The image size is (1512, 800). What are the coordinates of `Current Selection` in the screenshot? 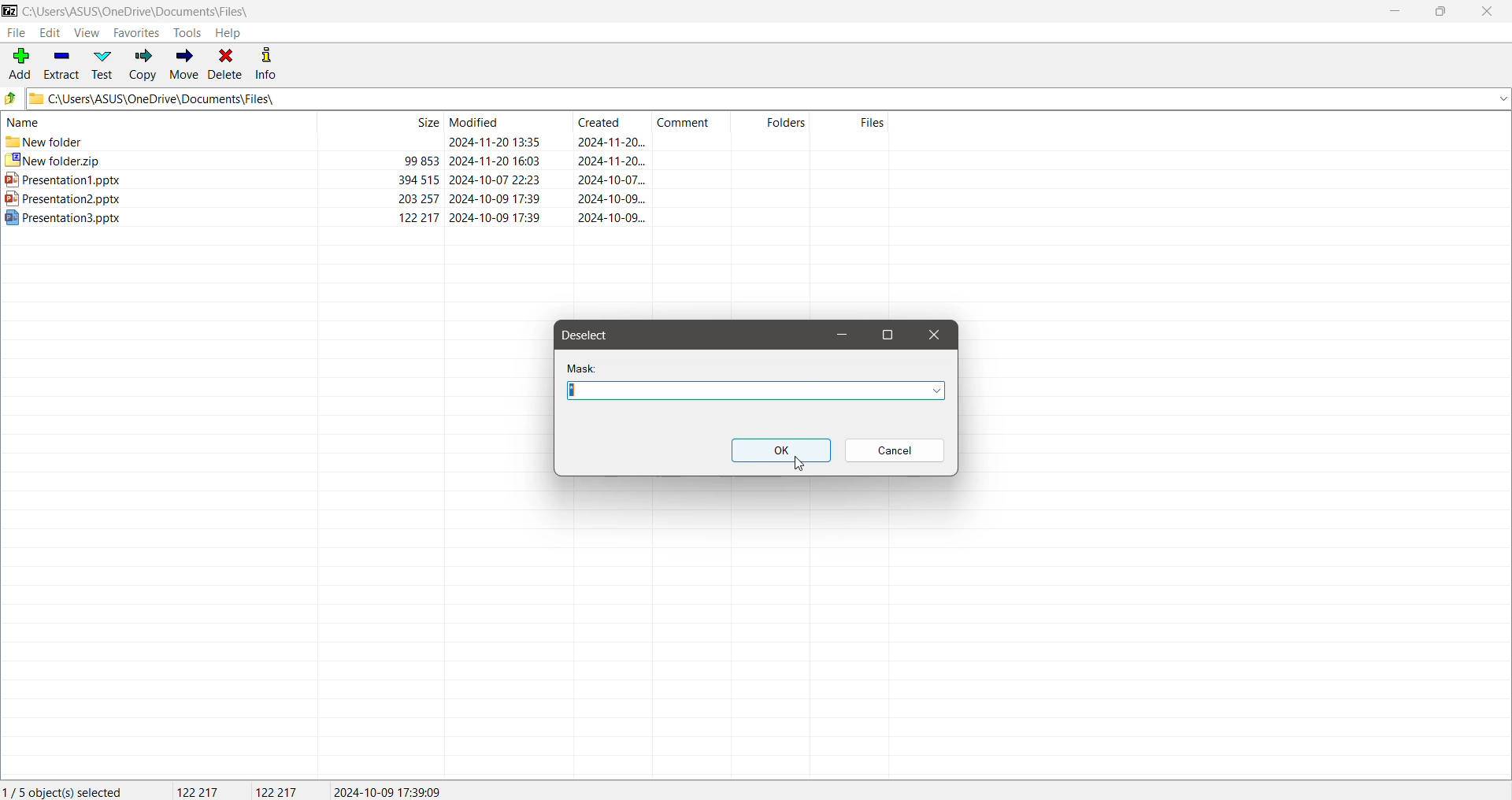 It's located at (67, 791).